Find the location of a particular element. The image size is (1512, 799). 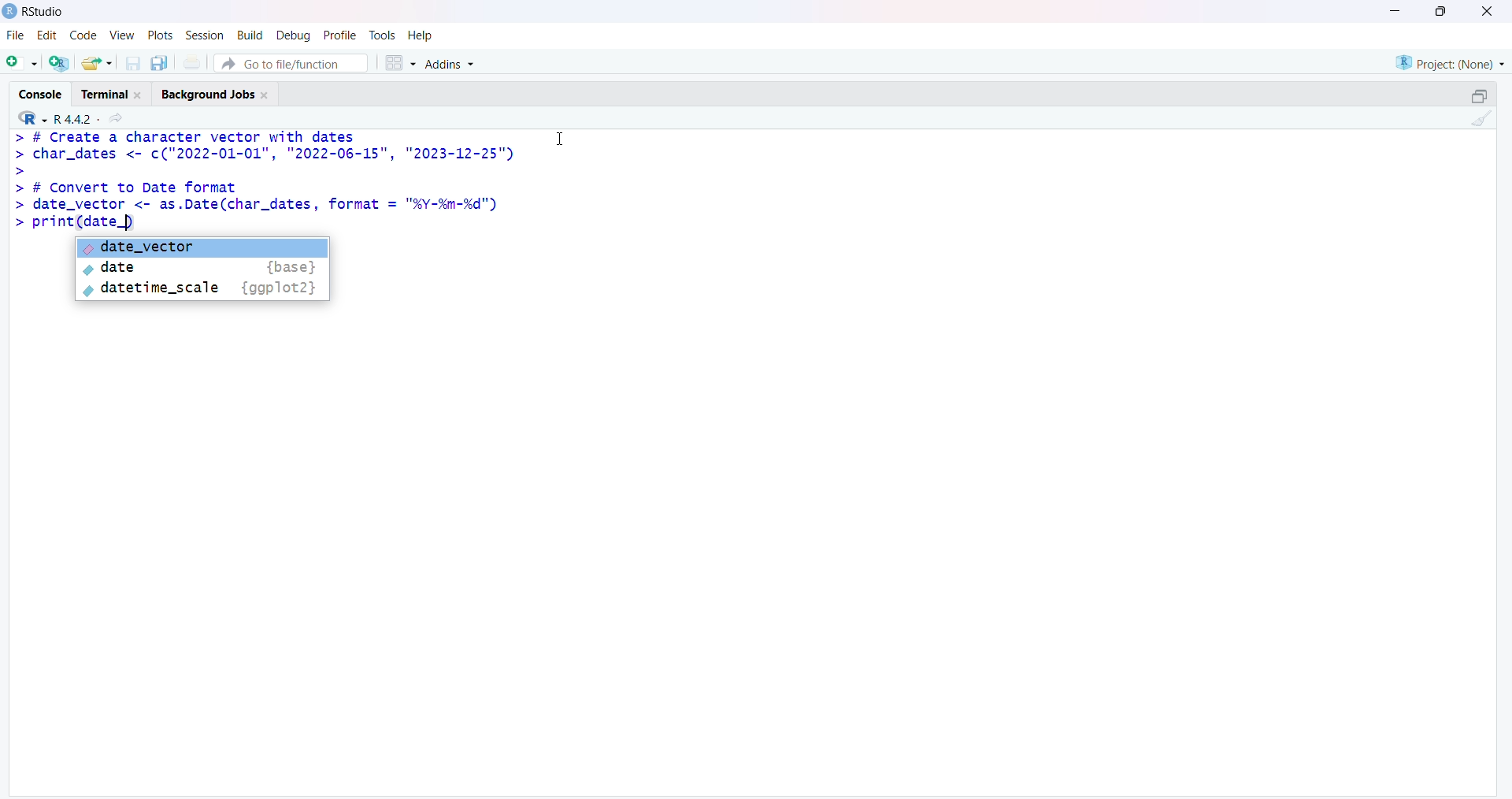

Create a project is located at coordinates (62, 61).